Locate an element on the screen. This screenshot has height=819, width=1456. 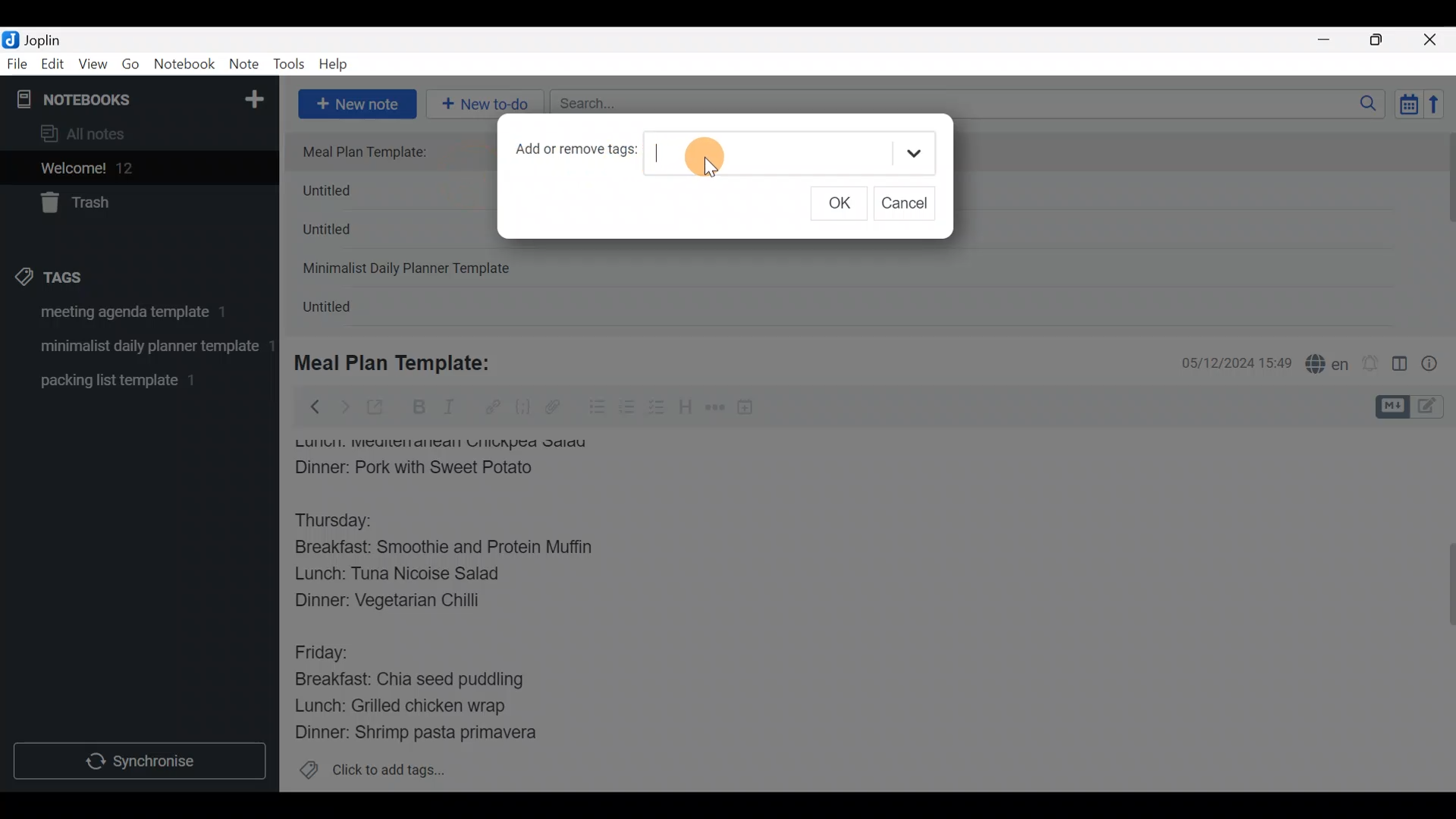
Text field is located at coordinates (789, 151).